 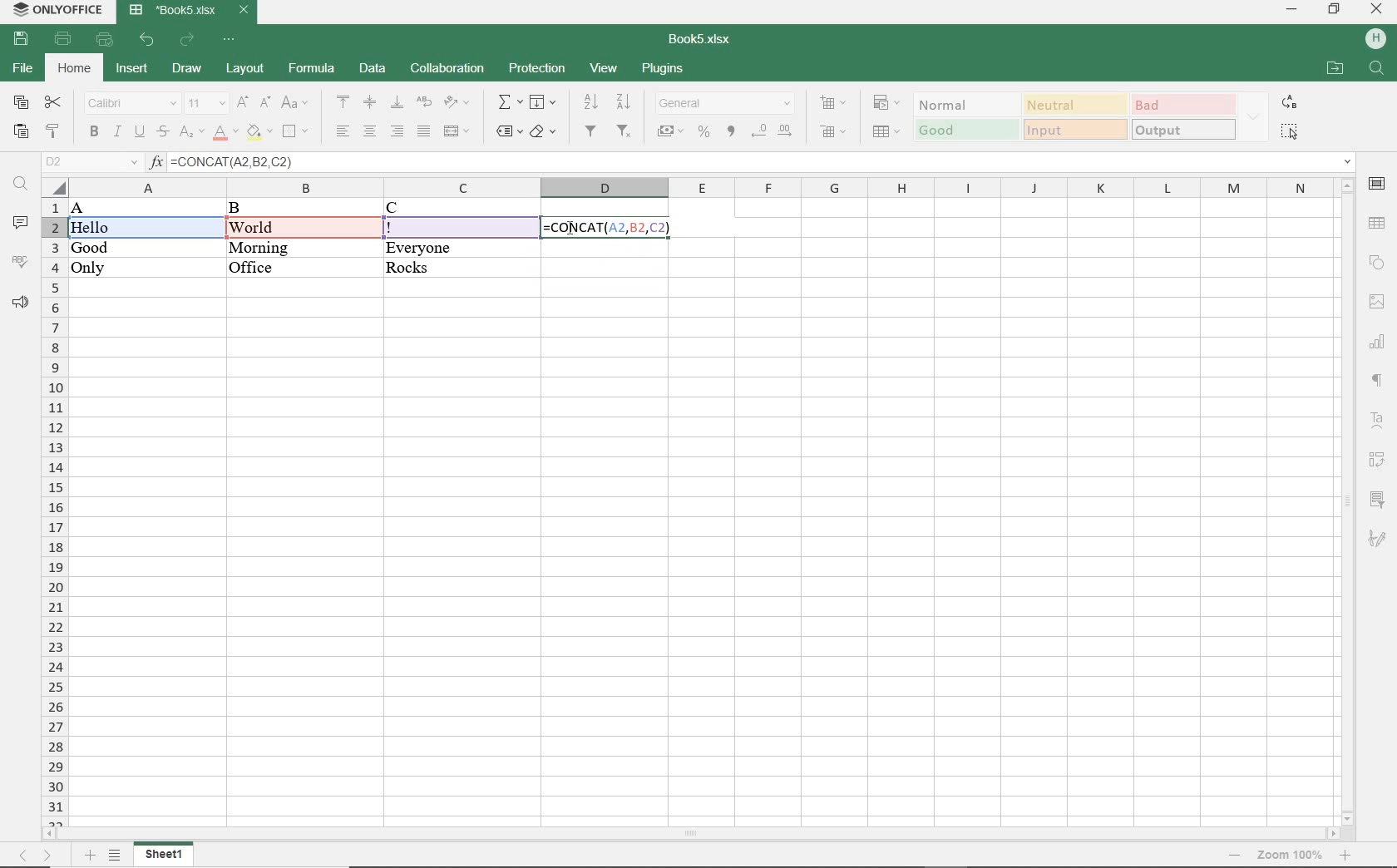 What do you see at coordinates (446, 68) in the screenshot?
I see `COLLABORATION` at bounding box center [446, 68].